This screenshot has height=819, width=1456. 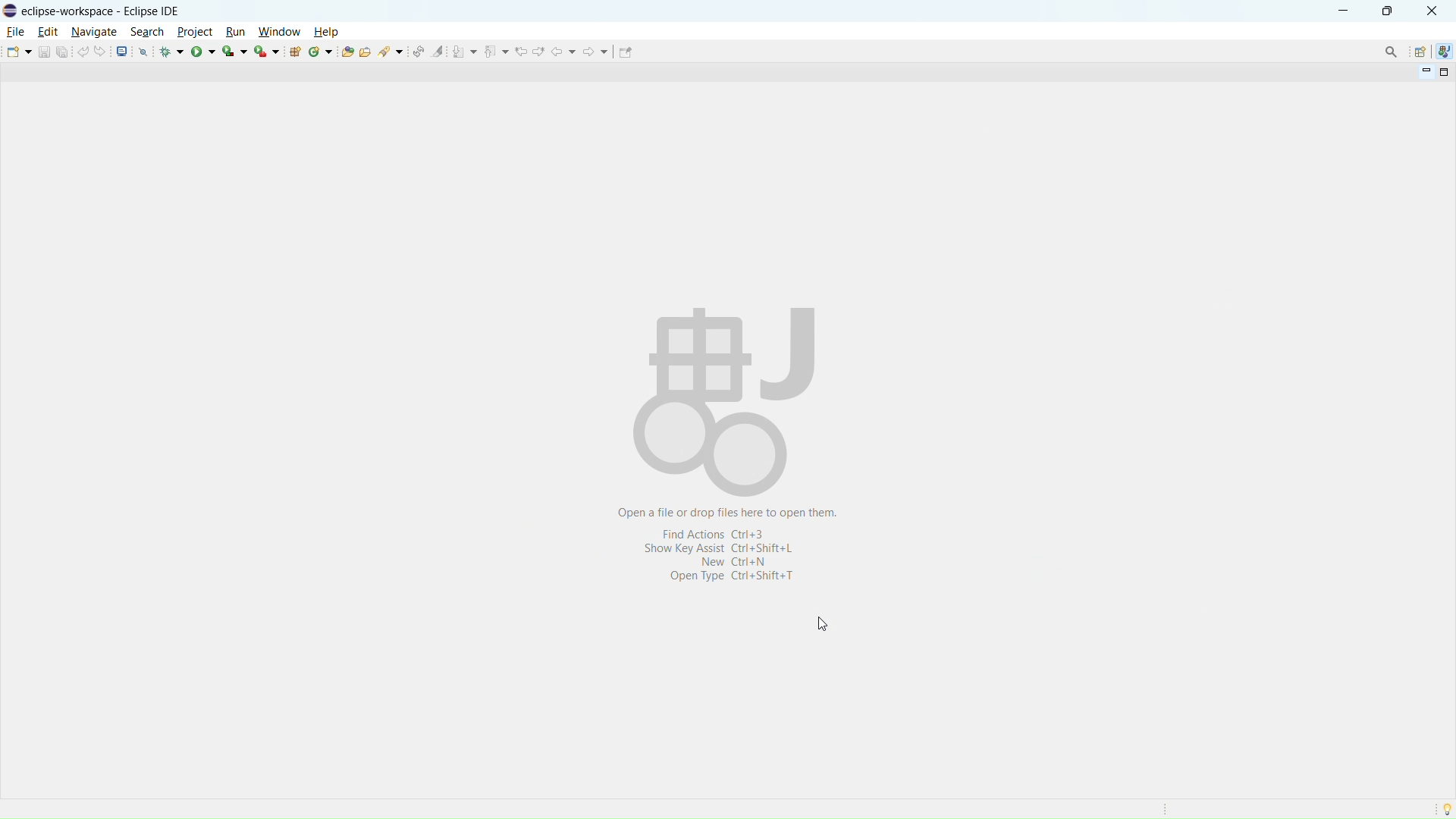 I want to click on open task, so click(x=365, y=50).